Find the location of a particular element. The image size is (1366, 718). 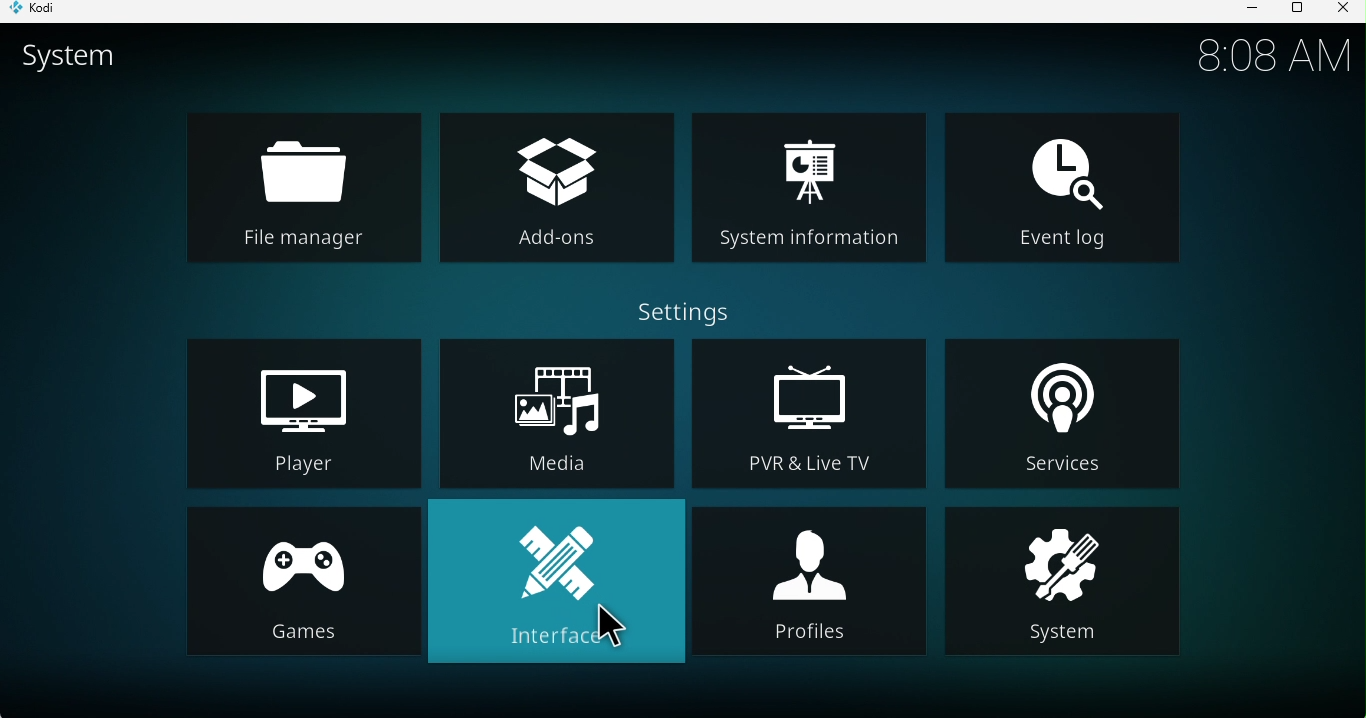

Interface is located at coordinates (558, 583).